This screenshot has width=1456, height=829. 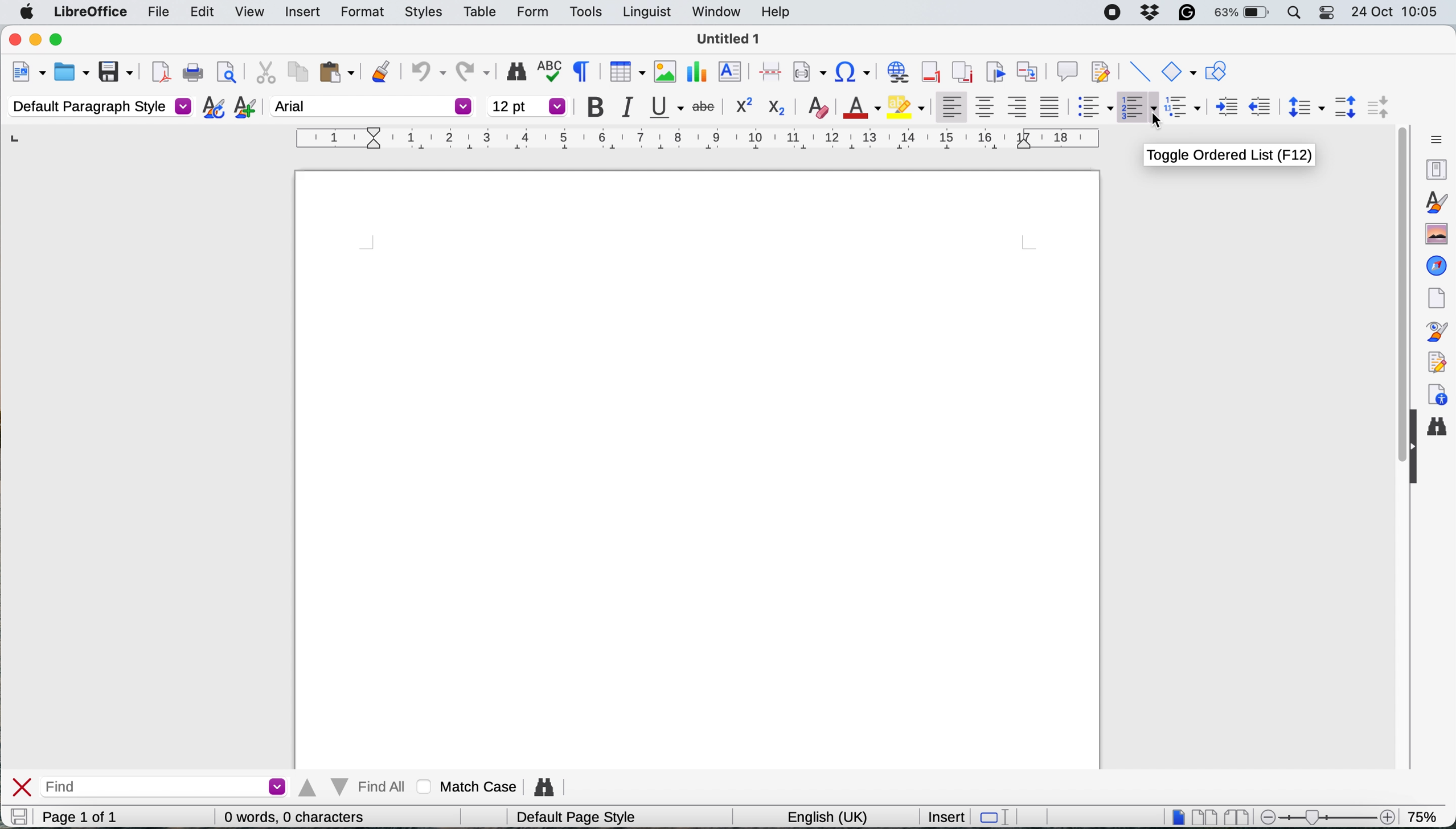 What do you see at coordinates (1324, 13) in the screenshot?
I see `control center` at bounding box center [1324, 13].